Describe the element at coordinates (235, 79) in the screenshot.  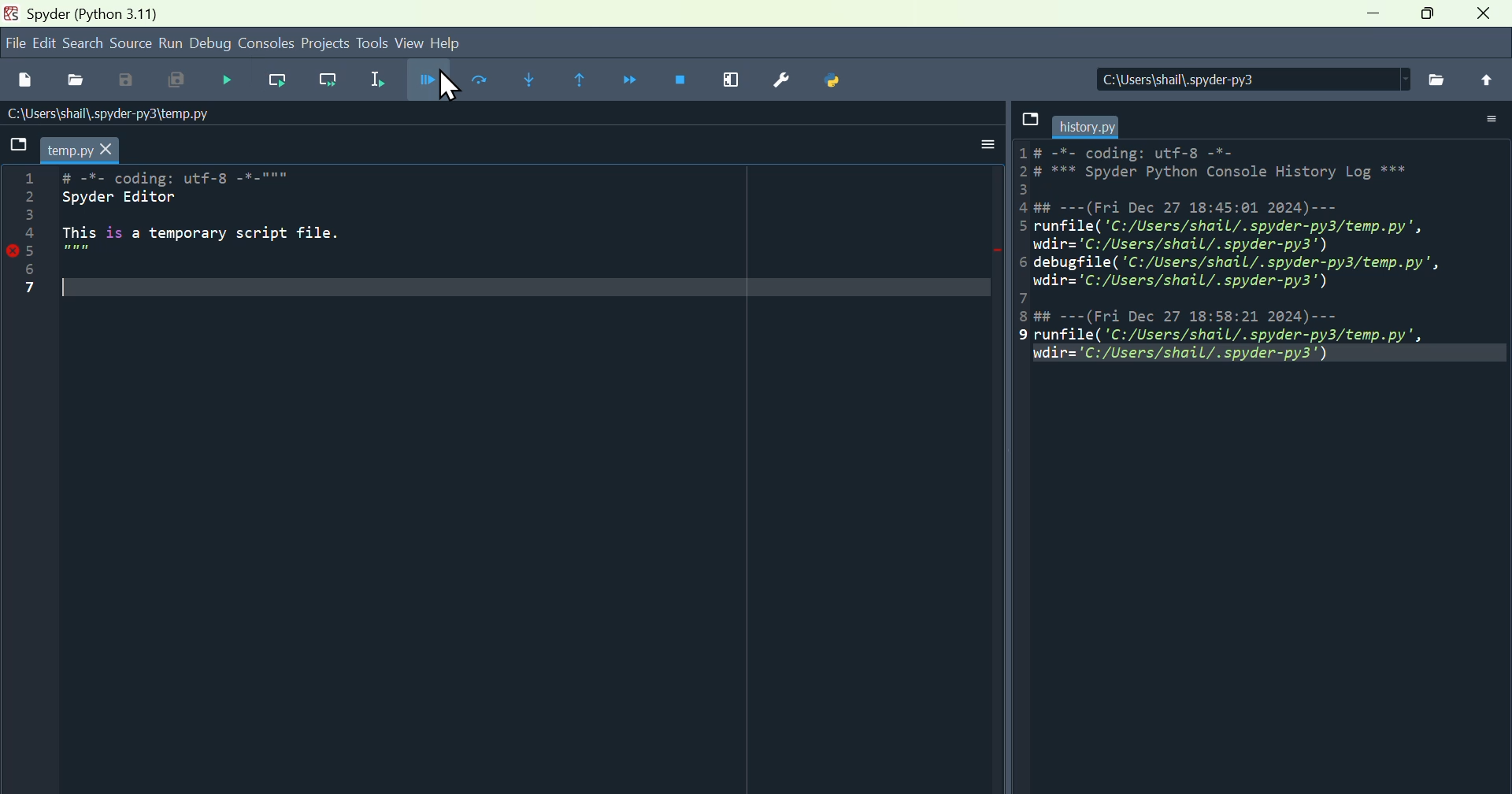
I see `Run` at that location.